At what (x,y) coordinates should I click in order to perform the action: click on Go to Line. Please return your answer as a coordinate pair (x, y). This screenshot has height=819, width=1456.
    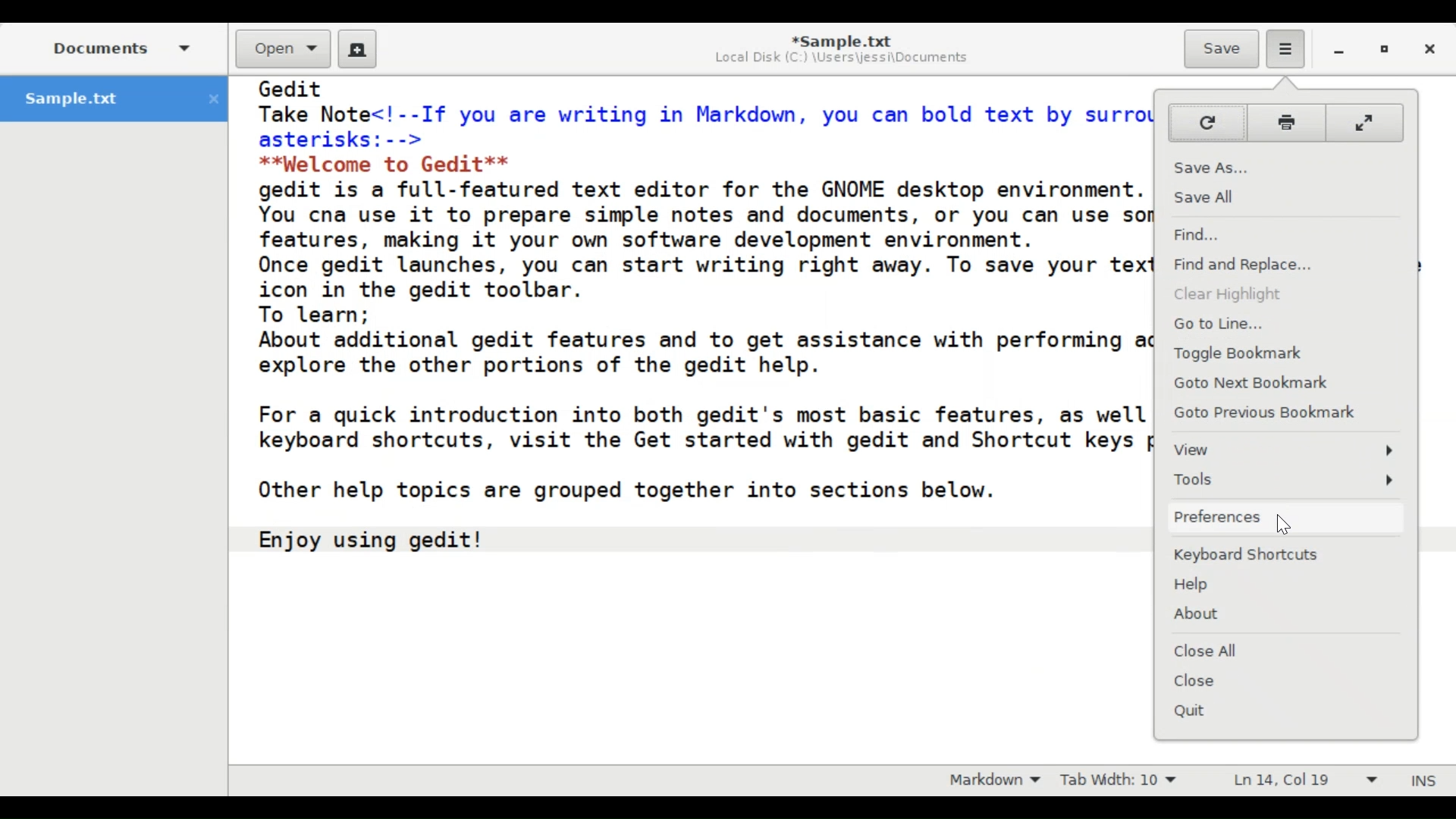
    Looking at the image, I should click on (1286, 324).